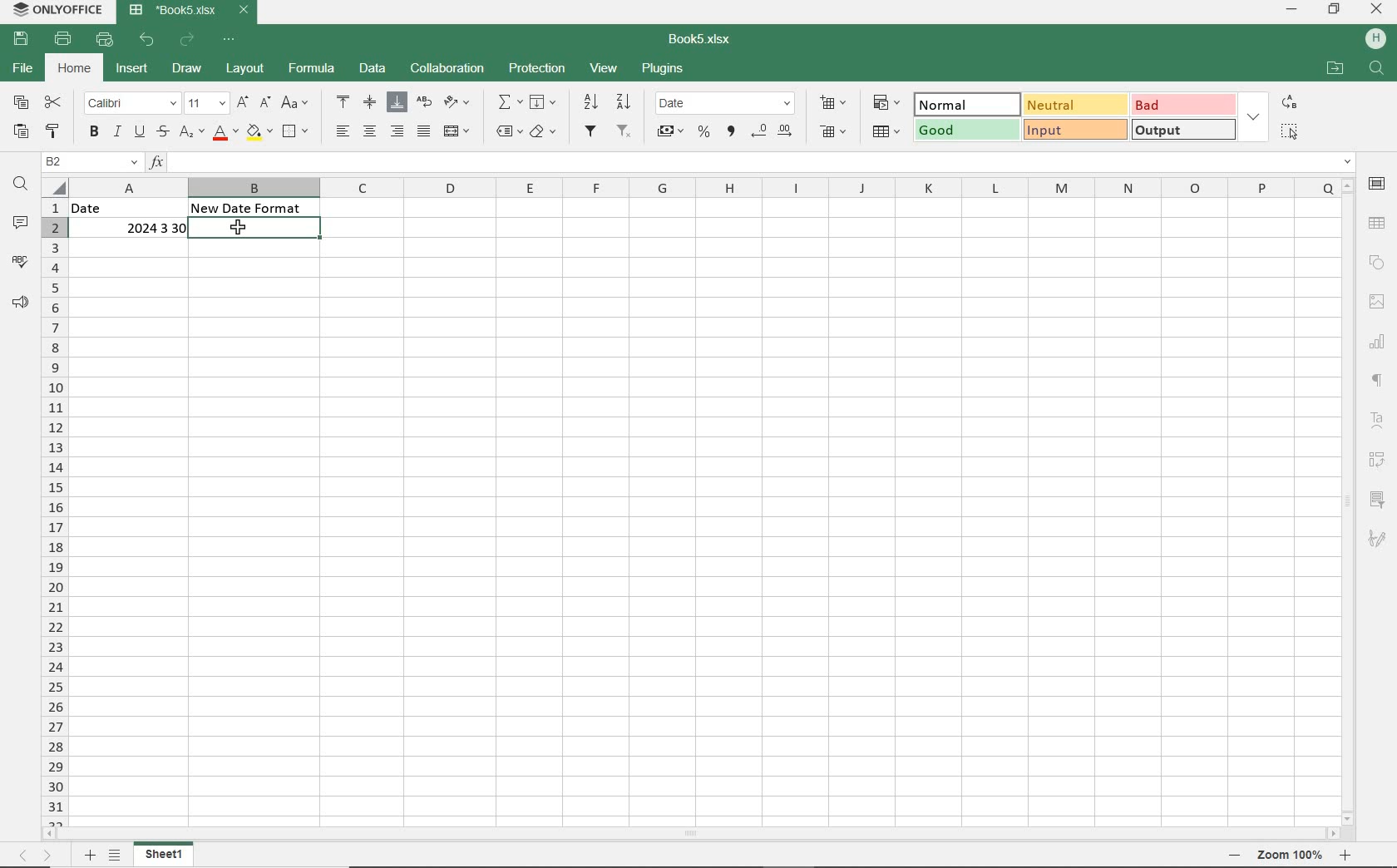 This screenshot has height=868, width=1397. I want to click on SORT DESCENDING, so click(624, 102).